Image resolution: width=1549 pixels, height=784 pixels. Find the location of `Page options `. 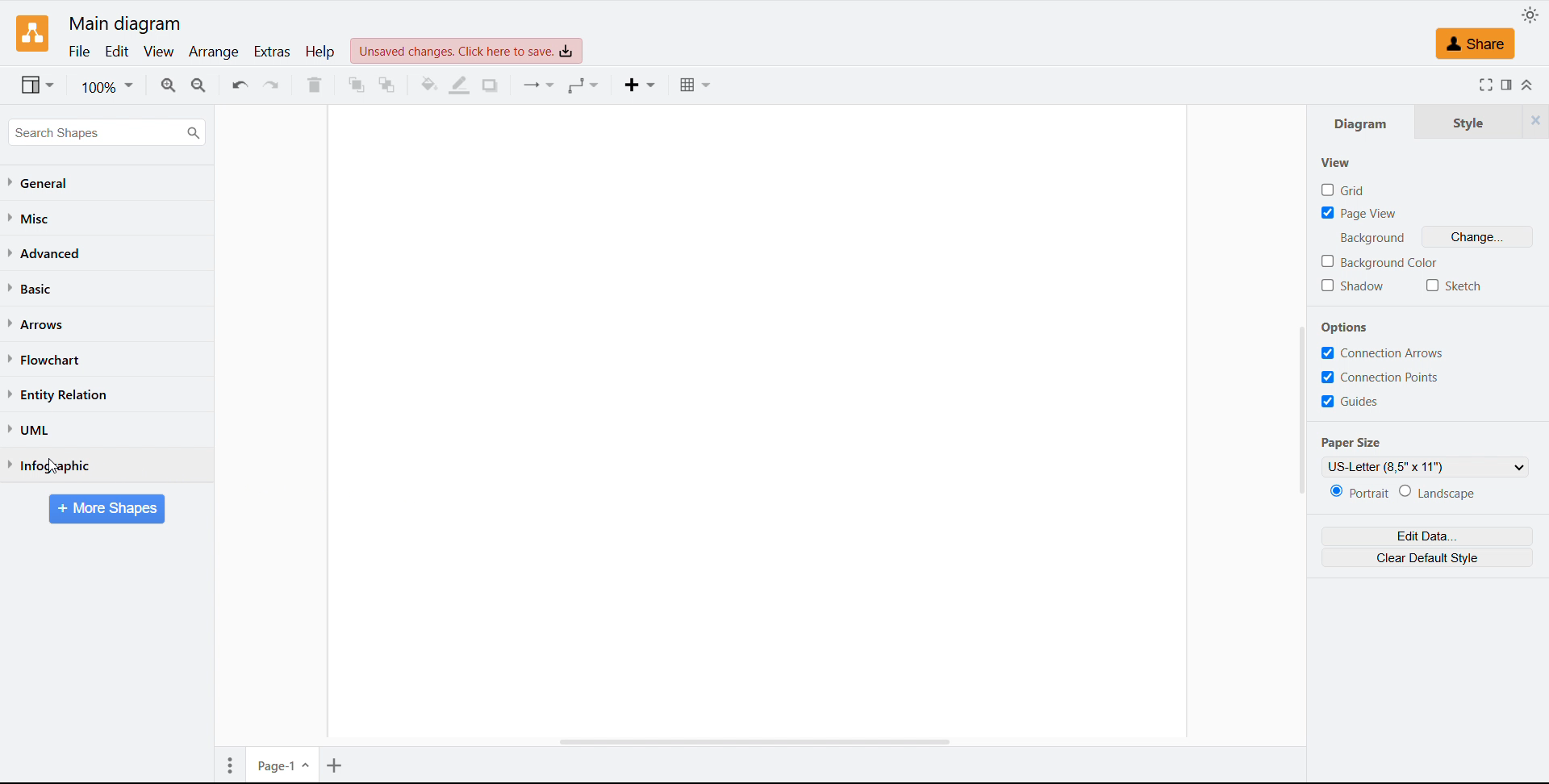

Page options  is located at coordinates (230, 763).